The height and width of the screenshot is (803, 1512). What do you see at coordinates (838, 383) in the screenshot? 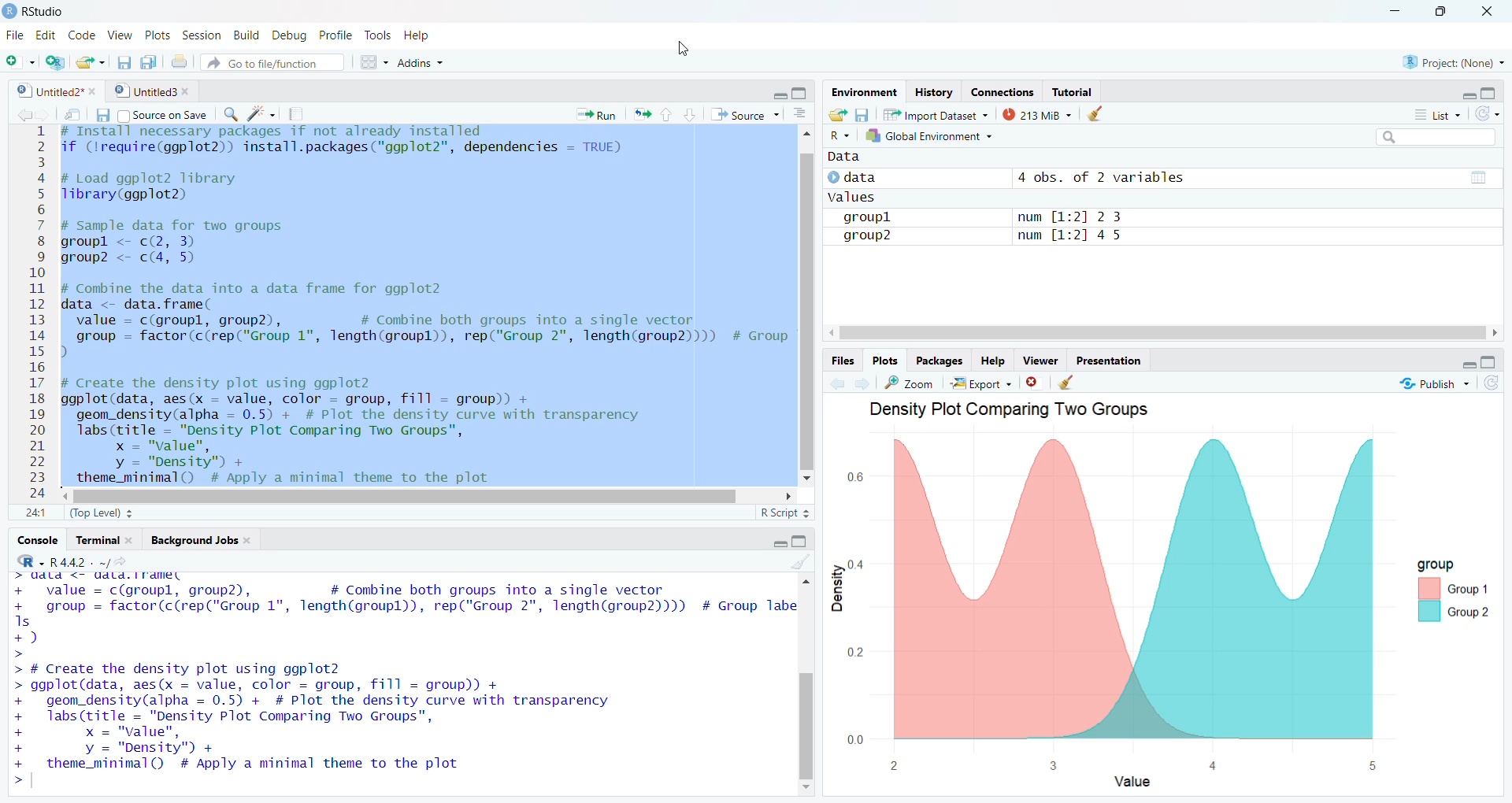
I see `previous` at bounding box center [838, 383].